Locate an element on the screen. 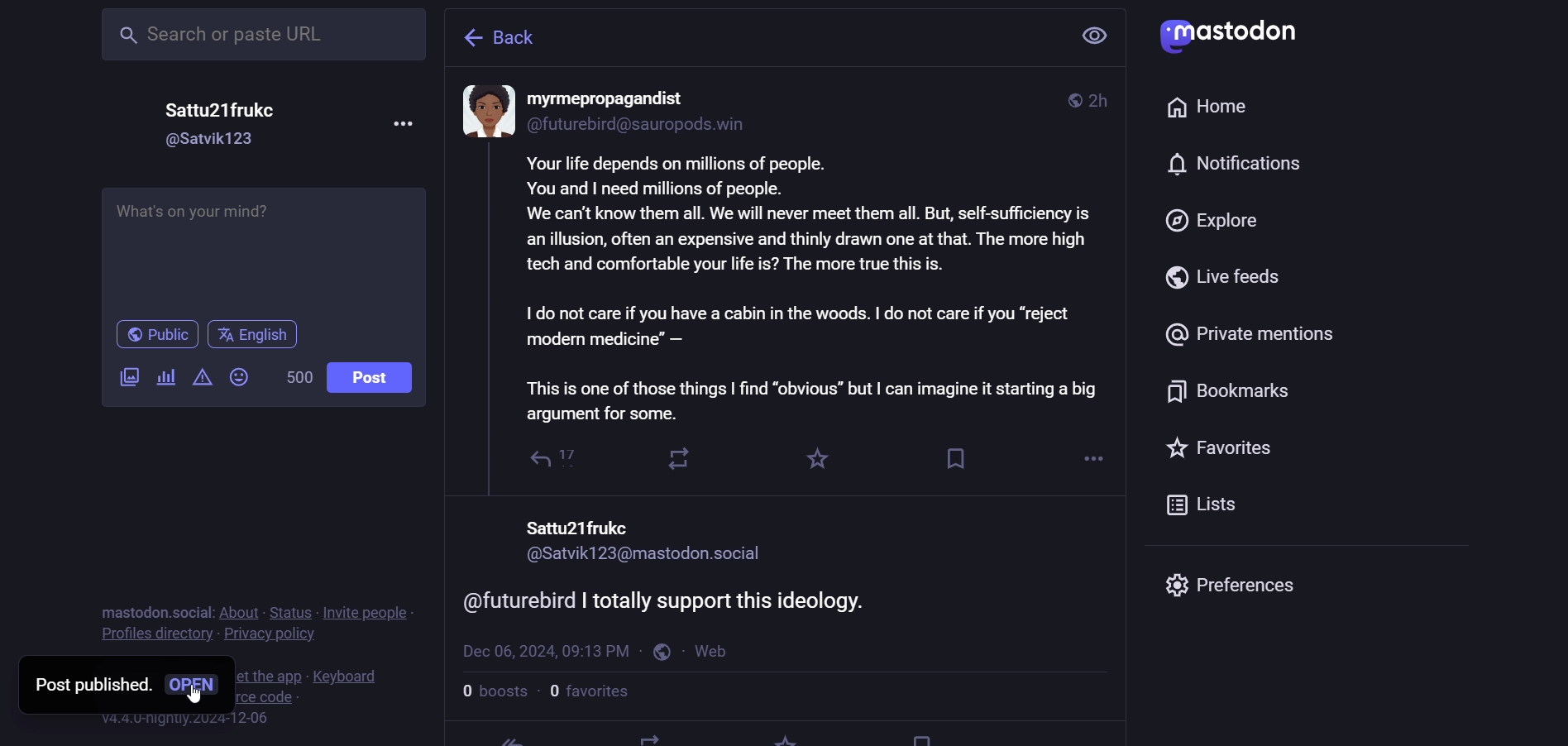 This screenshot has width=1568, height=746. profiles is located at coordinates (155, 635).